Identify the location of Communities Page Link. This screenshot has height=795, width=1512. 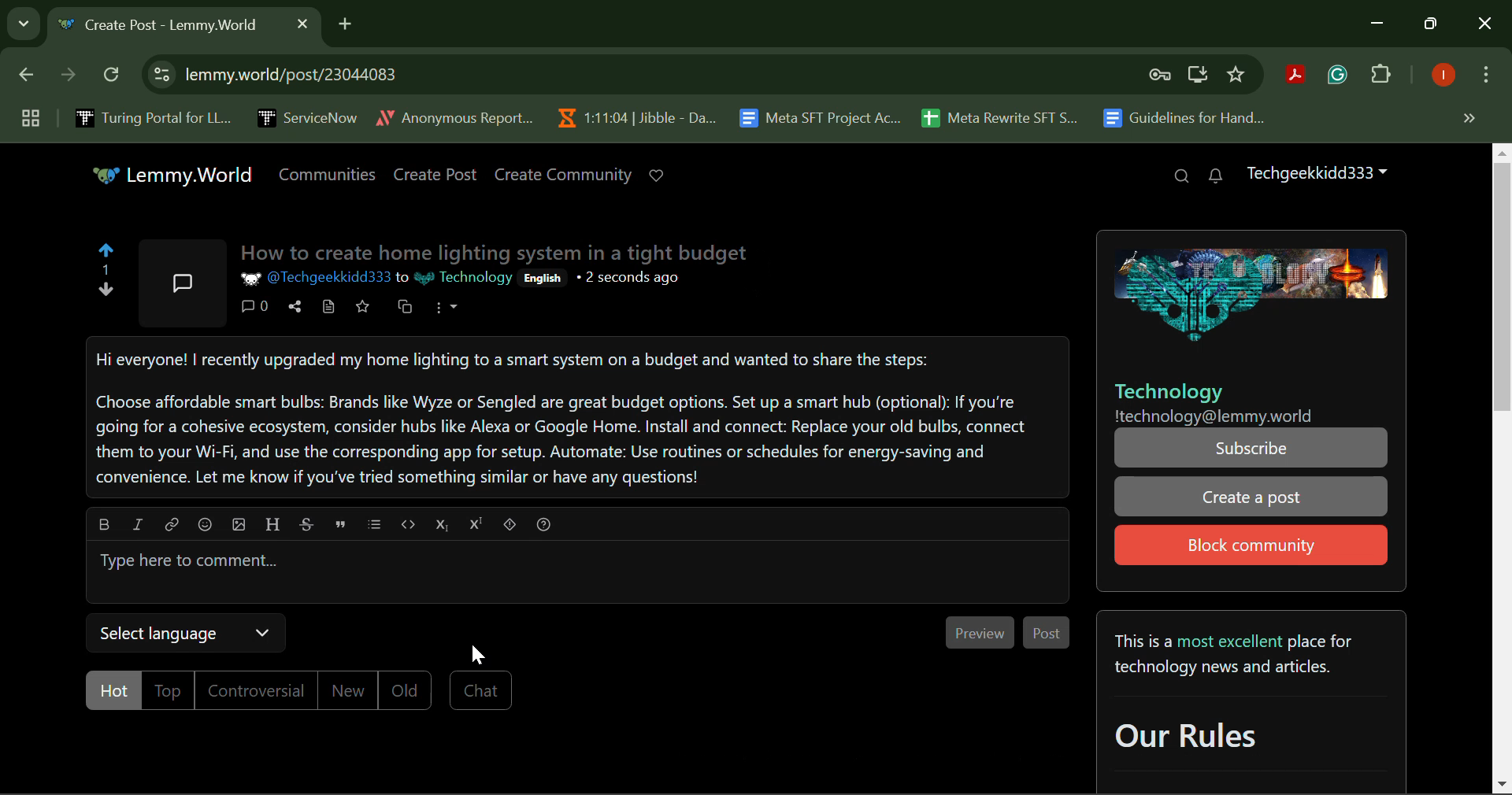
(327, 176).